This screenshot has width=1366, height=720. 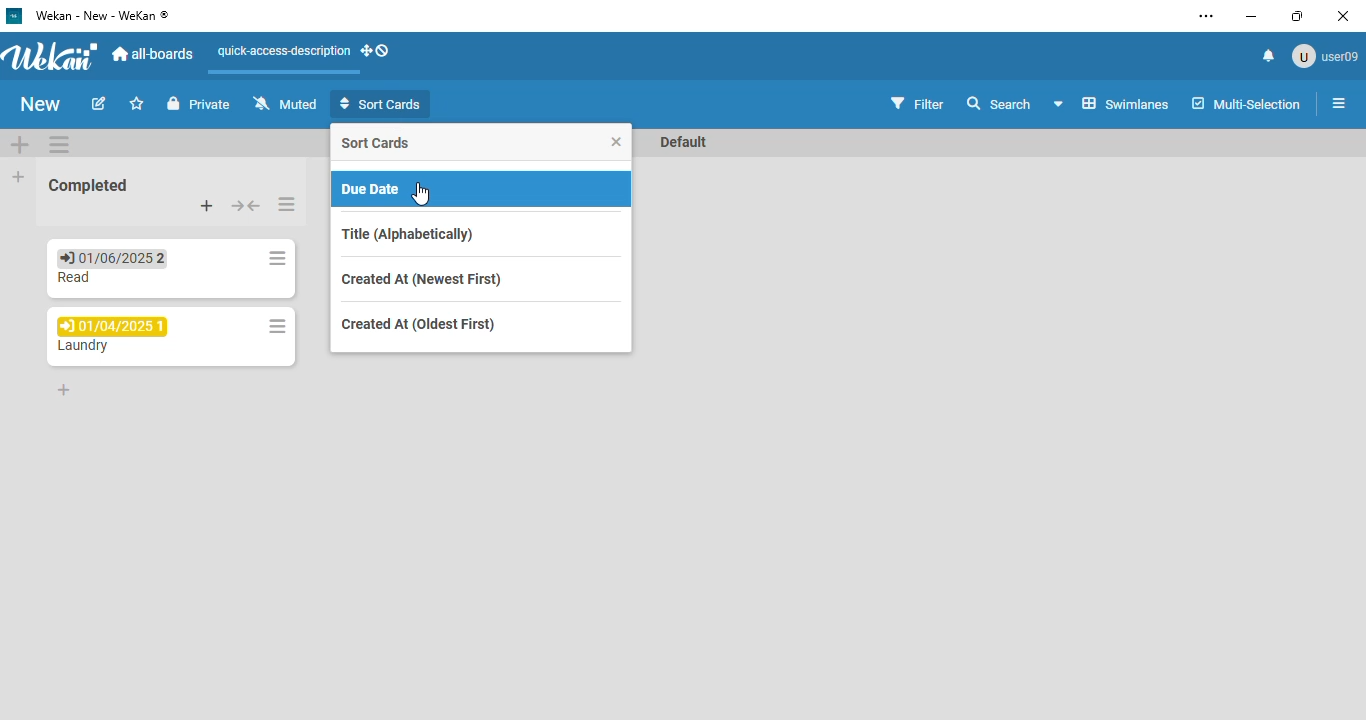 I want to click on Completed, so click(x=94, y=185).